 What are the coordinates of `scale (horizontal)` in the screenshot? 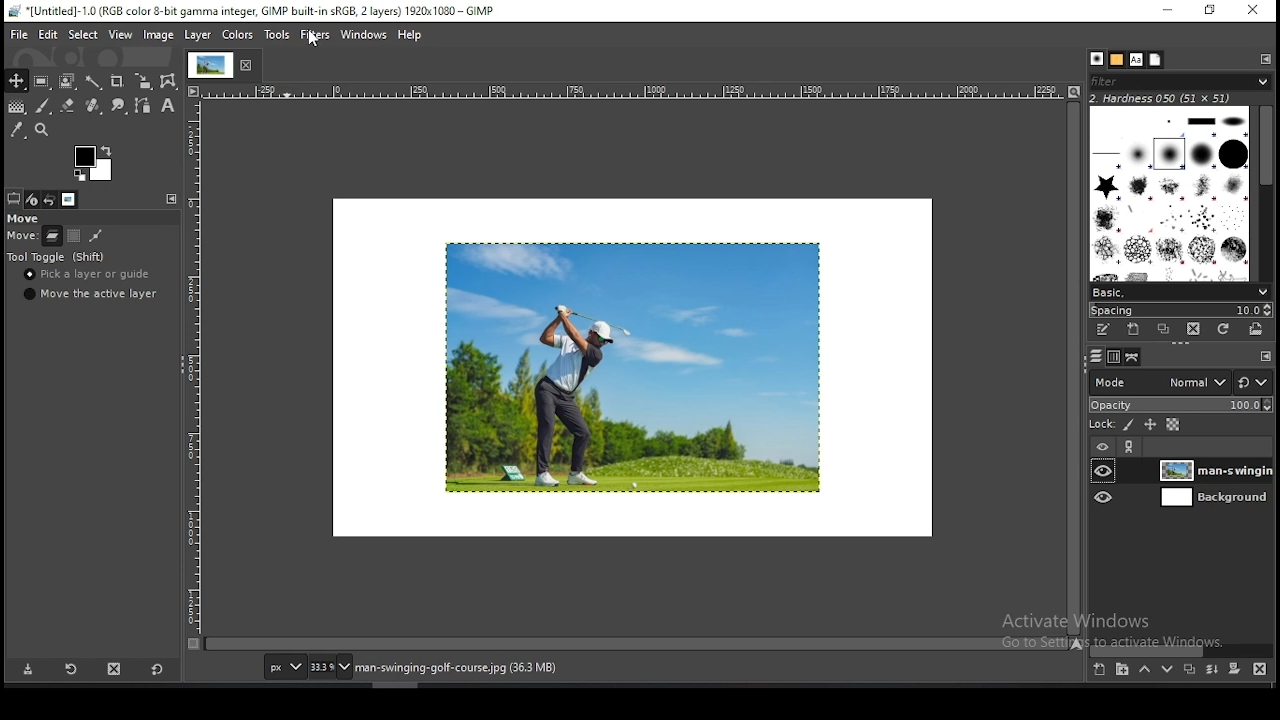 It's located at (635, 92).